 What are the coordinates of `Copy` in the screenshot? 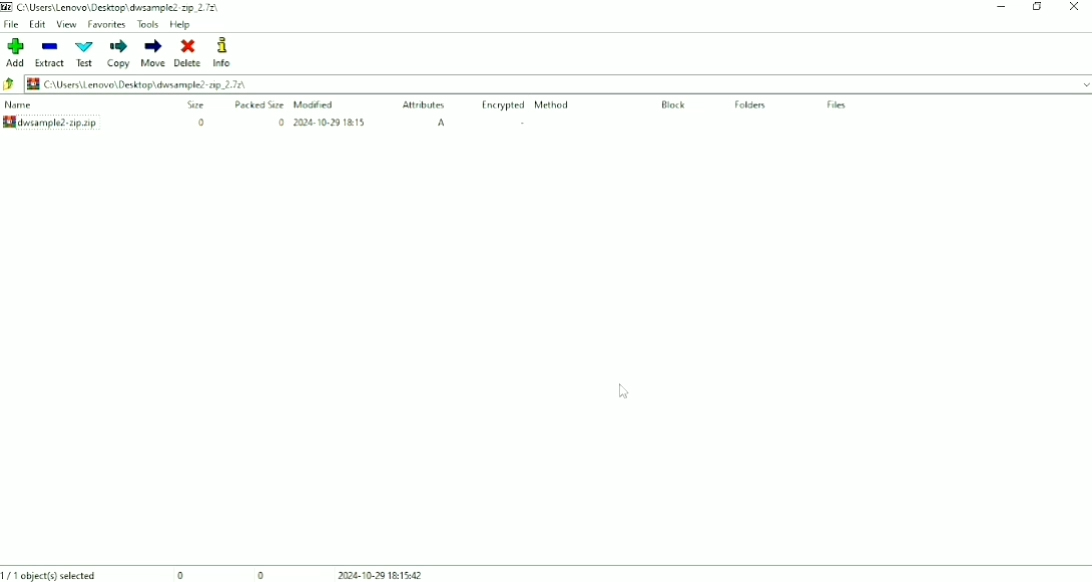 It's located at (119, 53).